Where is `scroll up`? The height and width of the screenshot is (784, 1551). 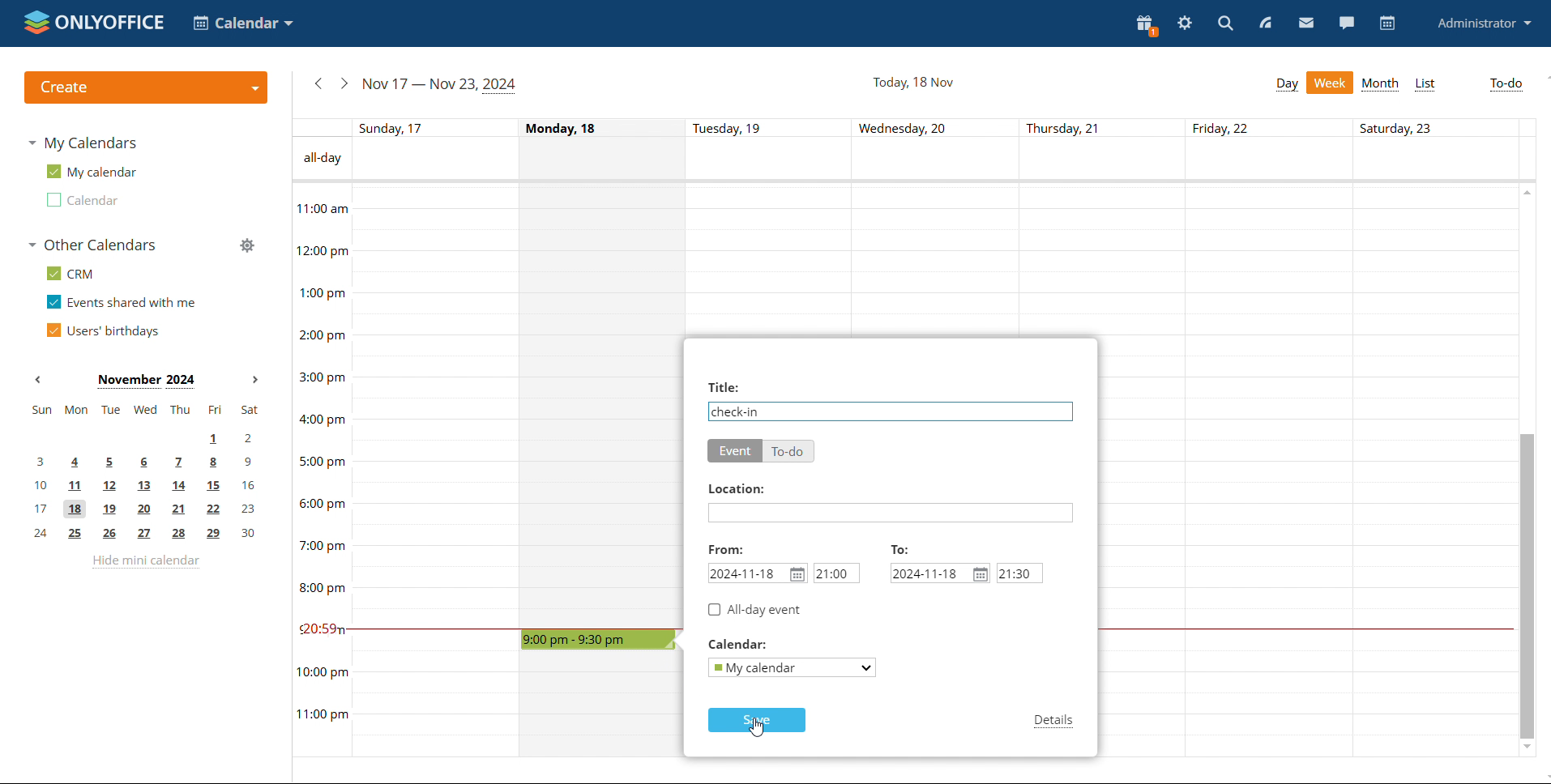 scroll up is located at coordinates (1527, 191).